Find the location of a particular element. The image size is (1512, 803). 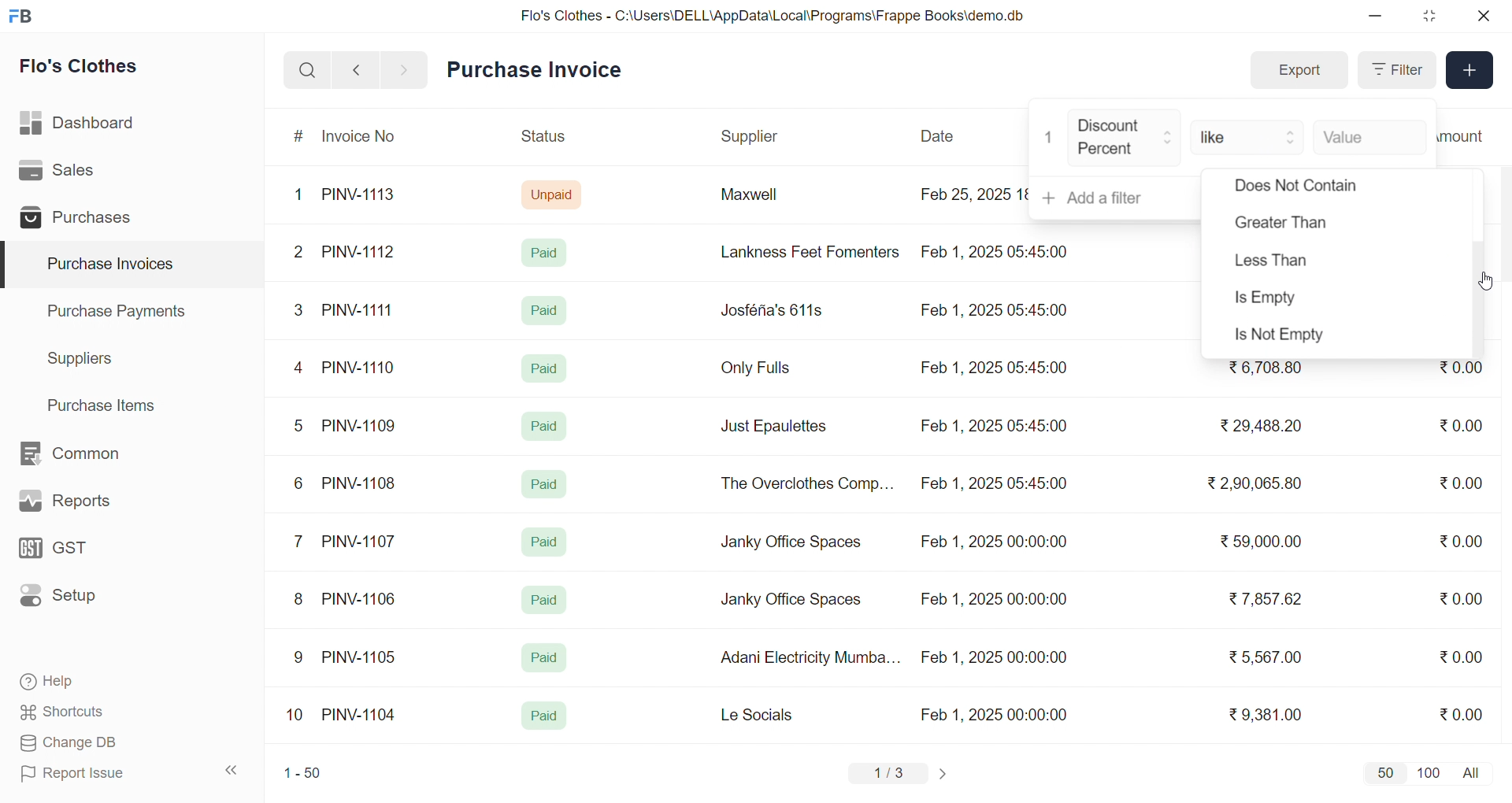

Unpaid is located at coordinates (554, 194).